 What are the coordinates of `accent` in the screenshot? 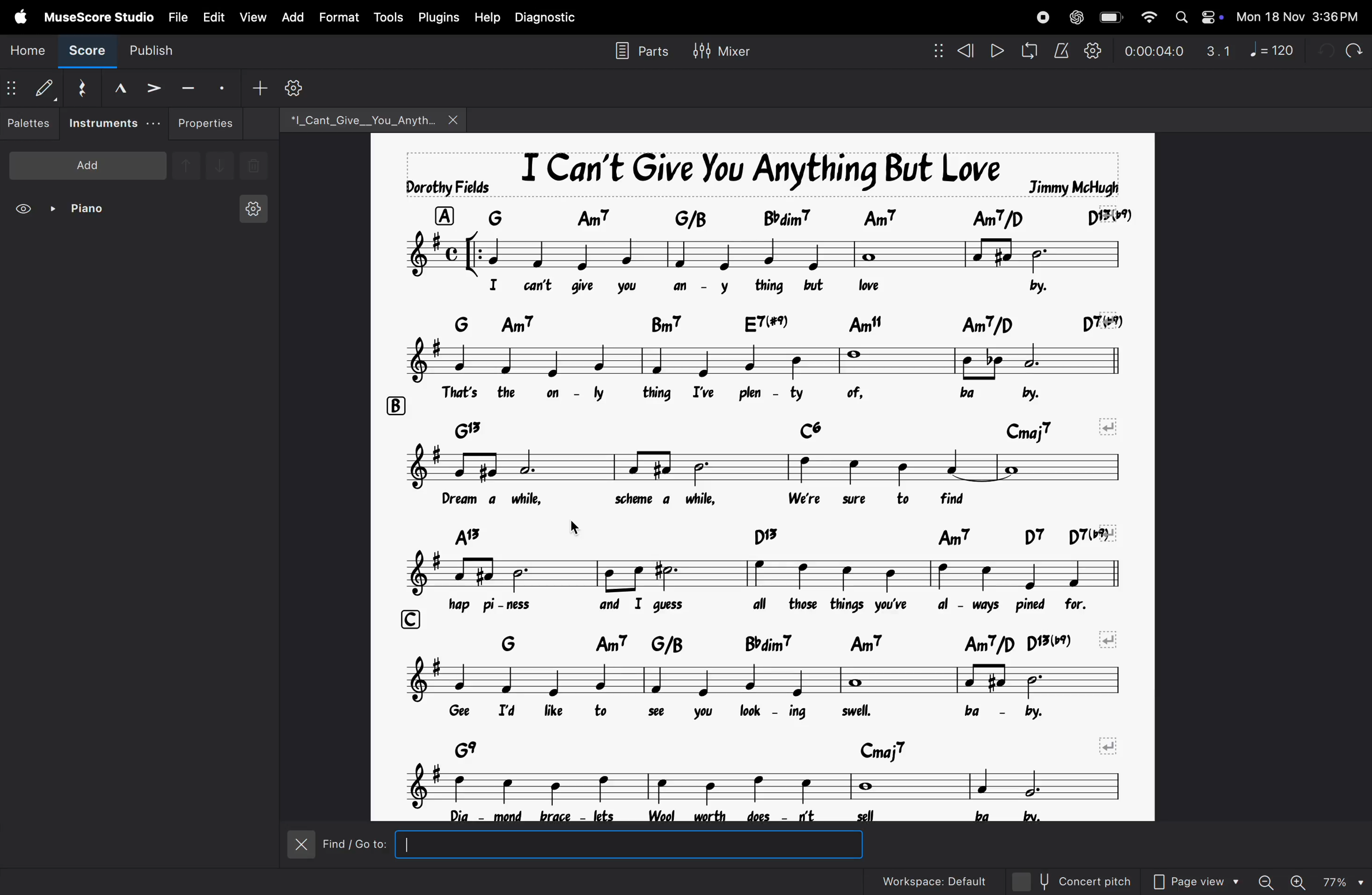 It's located at (154, 89).